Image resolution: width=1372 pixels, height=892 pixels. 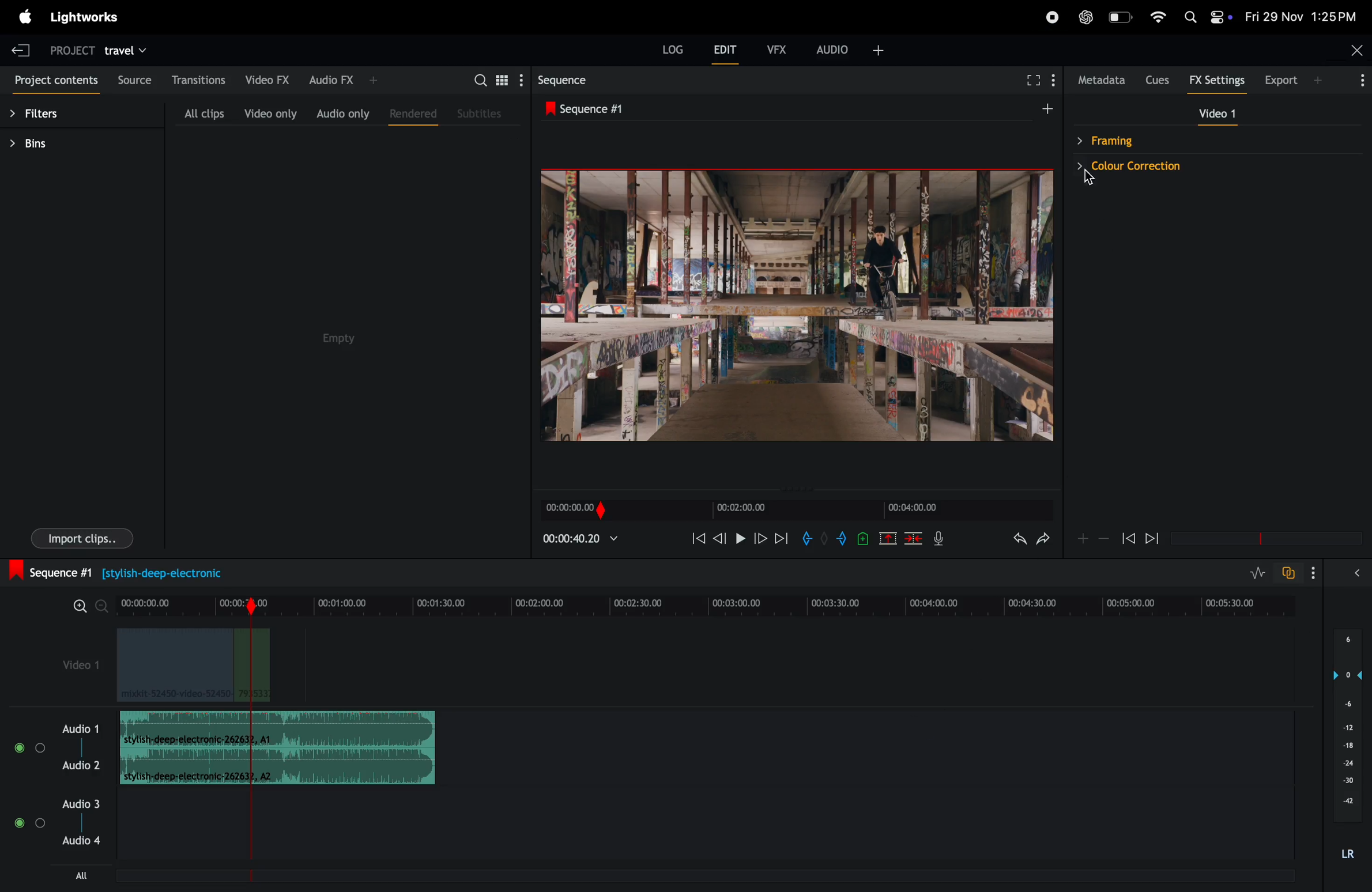 What do you see at coordinates (1158, 17) in the screenshot?
I see `wifi` at bounding box center [1158, 17].